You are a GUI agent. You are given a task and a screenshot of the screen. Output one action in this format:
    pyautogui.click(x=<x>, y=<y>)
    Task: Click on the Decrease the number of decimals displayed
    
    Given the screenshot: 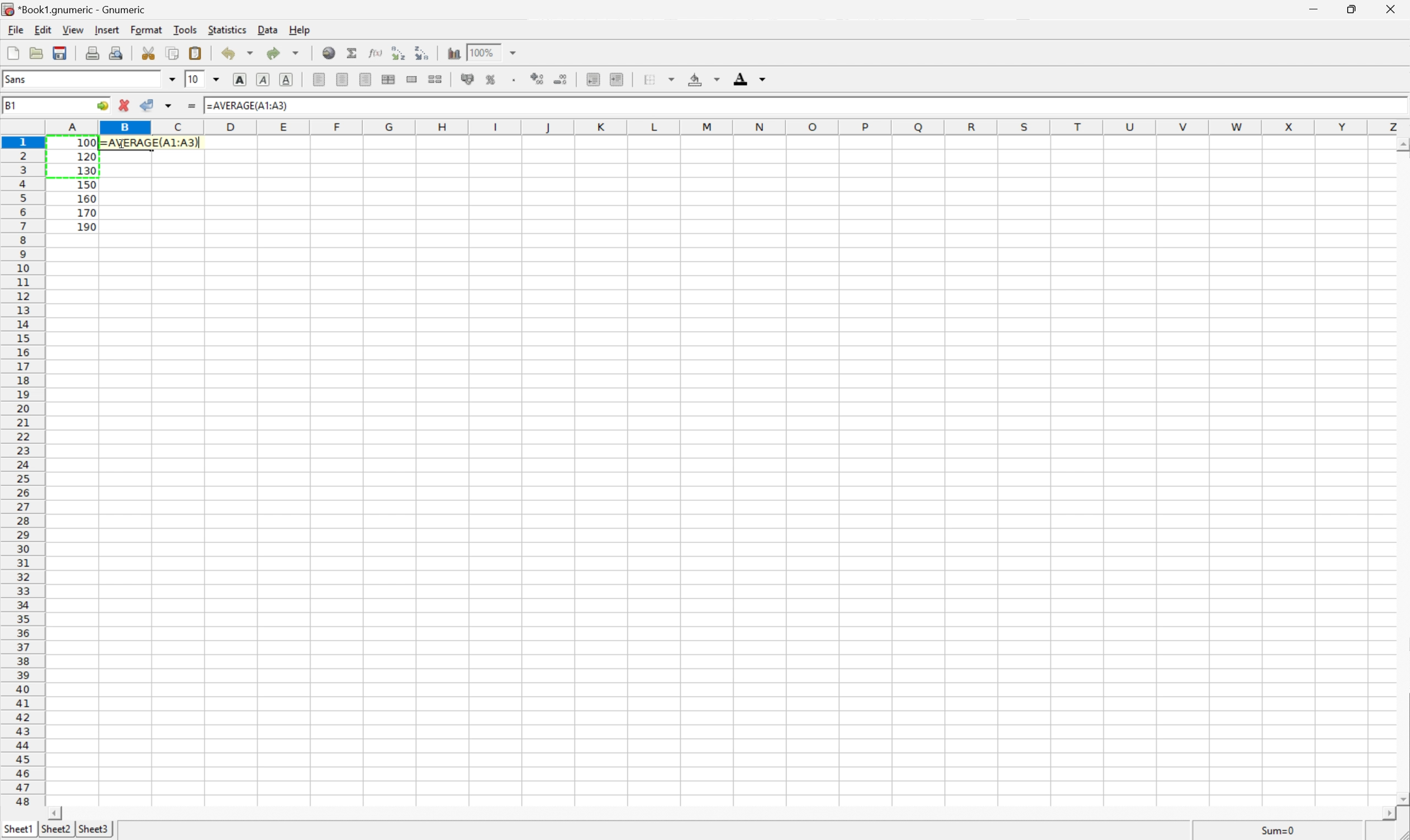 What is the action you would take?
    pyautogui.click(x=562, y=80)
    